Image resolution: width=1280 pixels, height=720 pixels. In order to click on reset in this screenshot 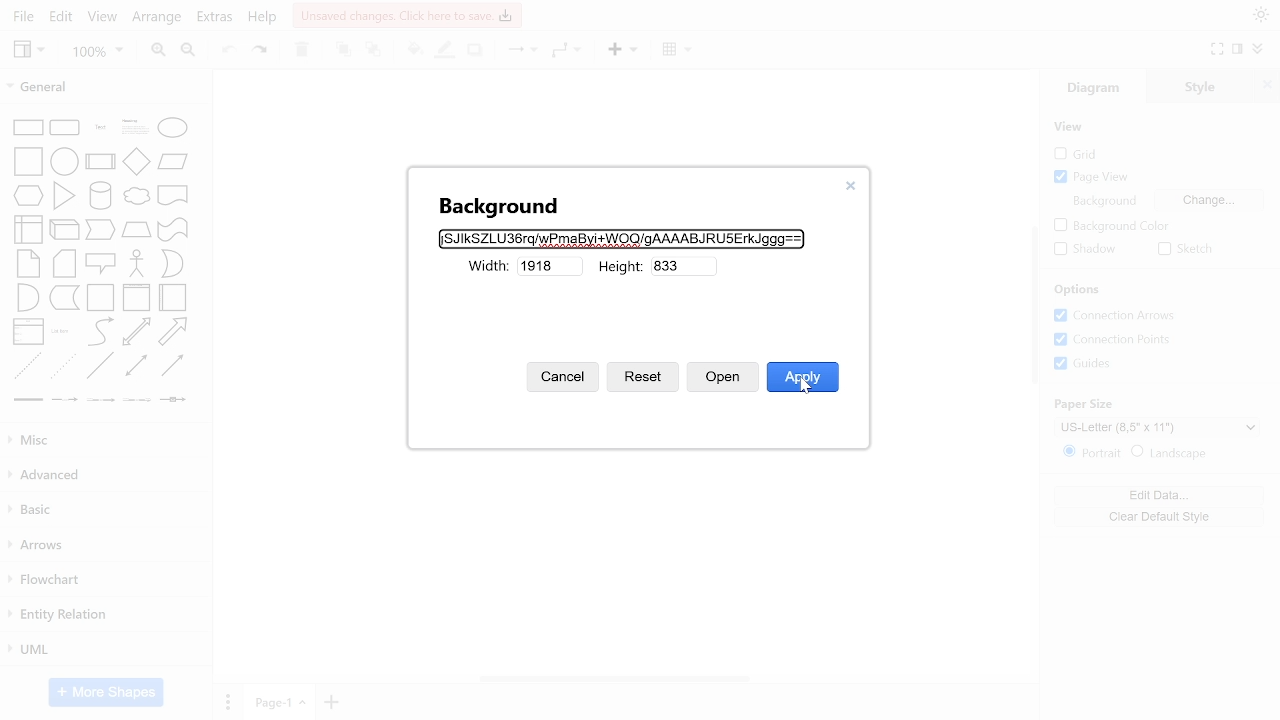, I will do `click(644, 380)`.